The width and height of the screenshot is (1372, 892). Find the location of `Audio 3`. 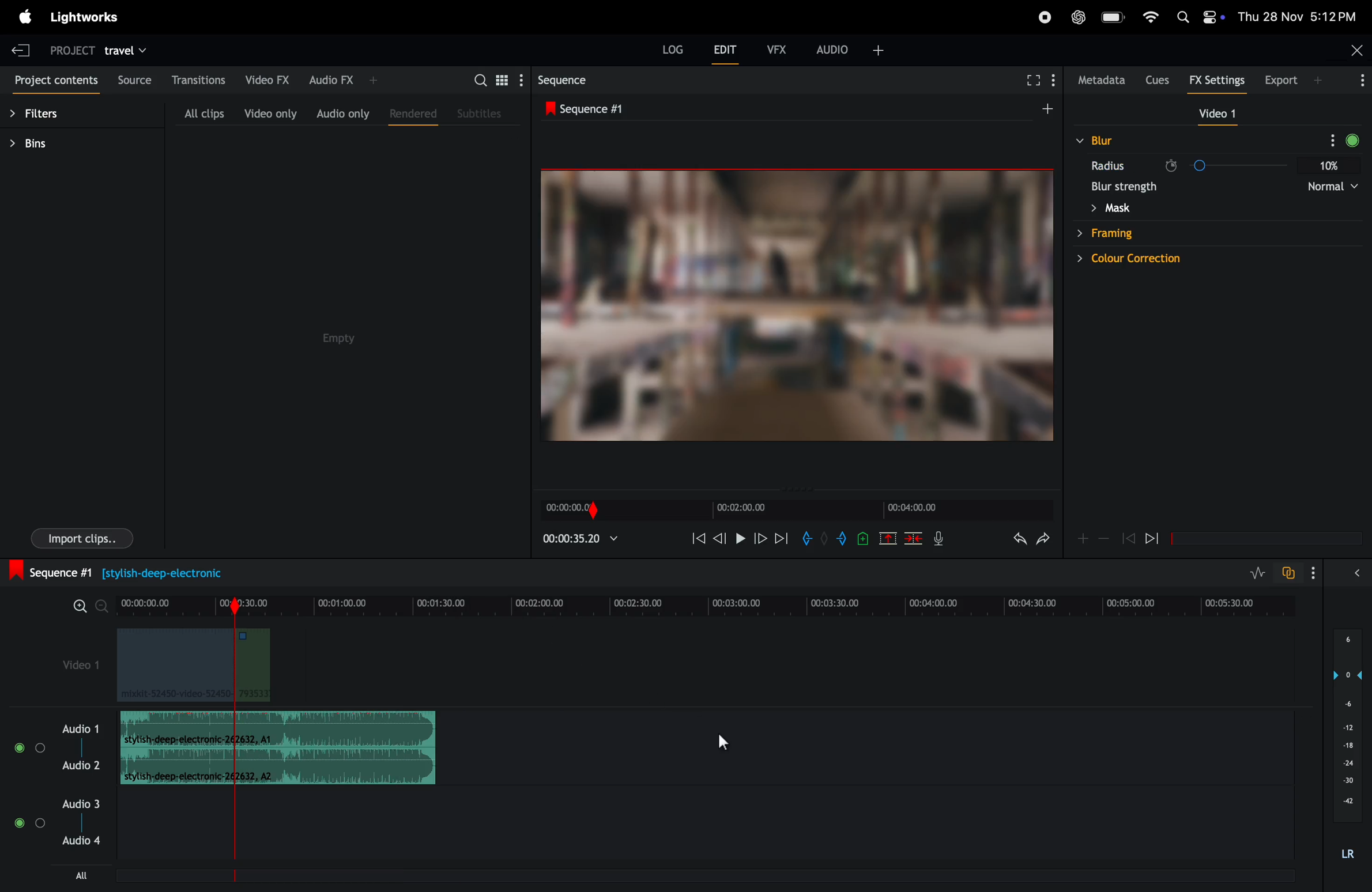

Audio 3 is located at coordinates (80, 804).